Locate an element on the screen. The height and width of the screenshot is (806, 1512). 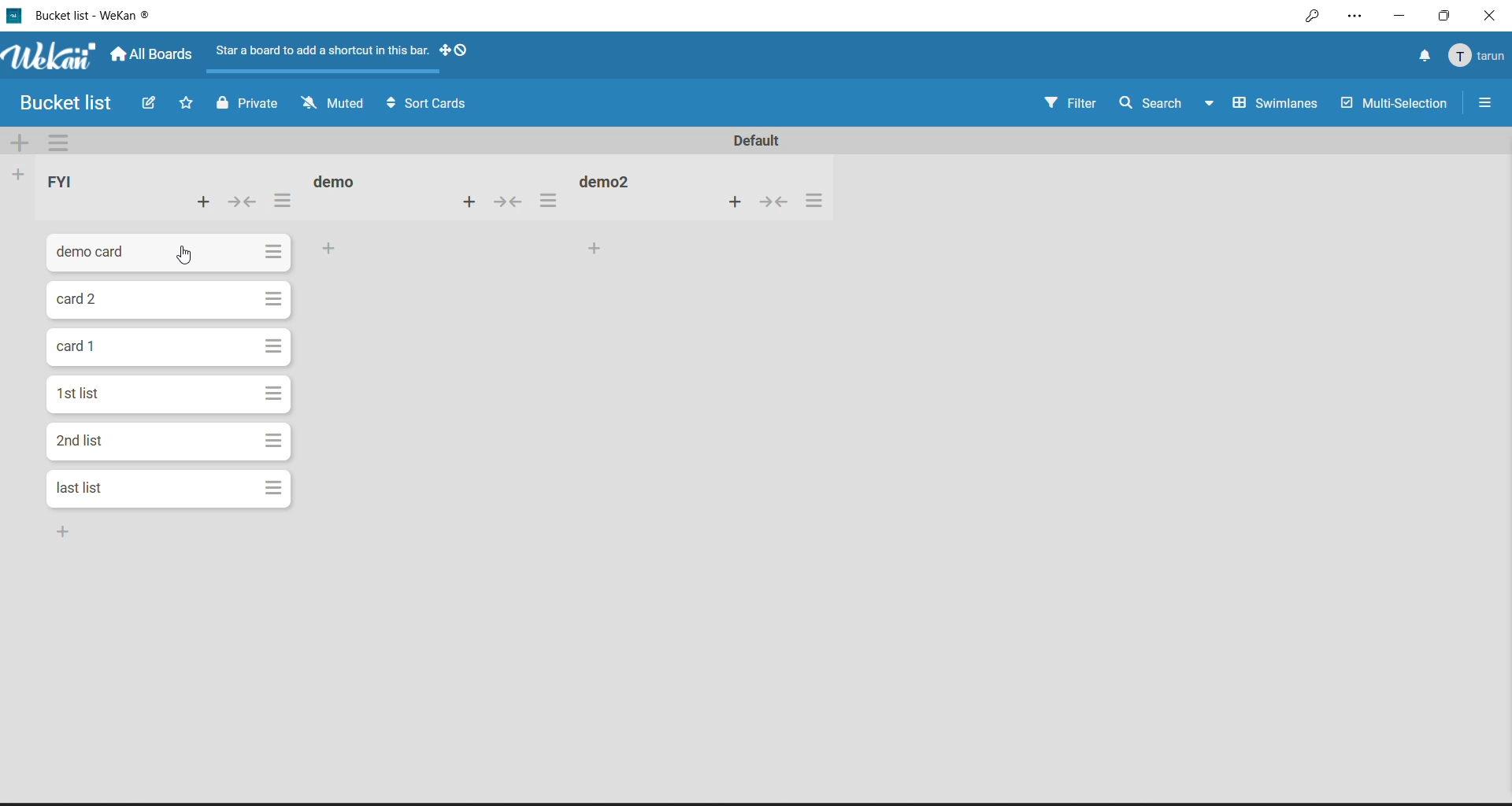
swimlane actions is located at coordinates (66, 142).